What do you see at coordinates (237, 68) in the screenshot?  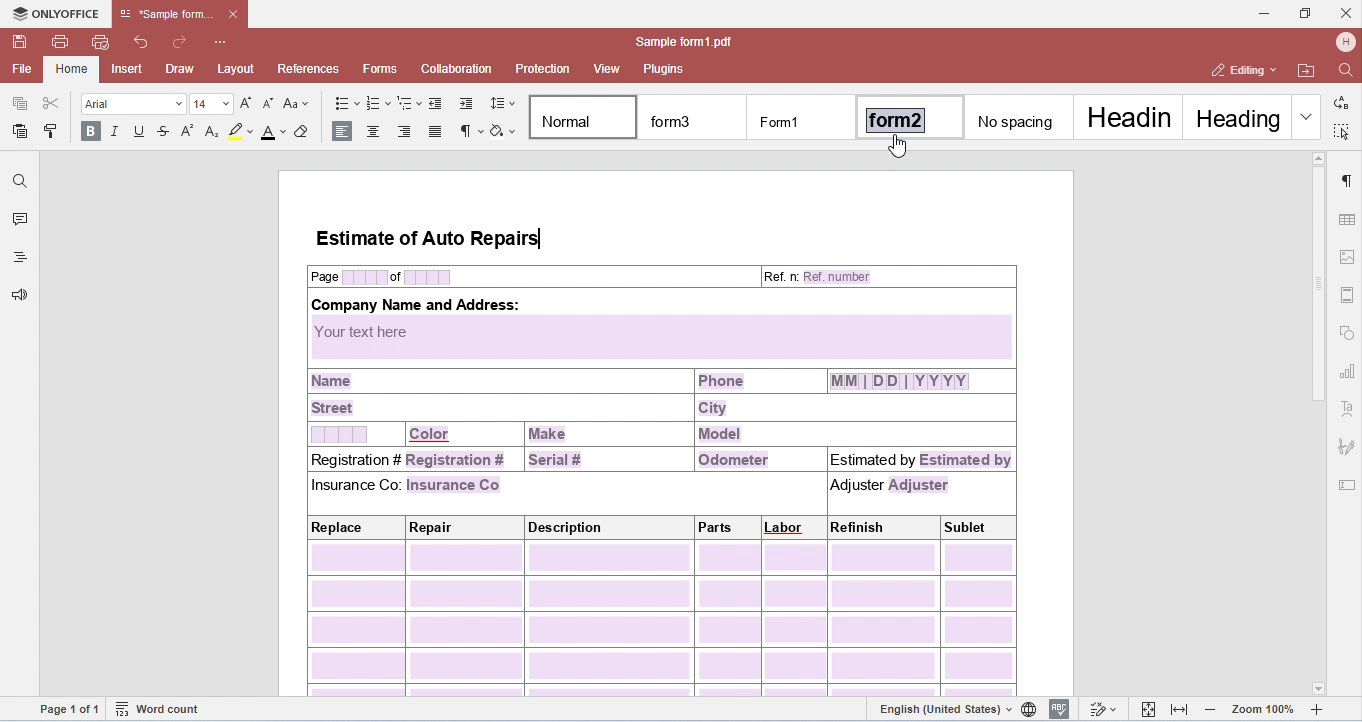 I see `layout` at bounding box center [237, 68].